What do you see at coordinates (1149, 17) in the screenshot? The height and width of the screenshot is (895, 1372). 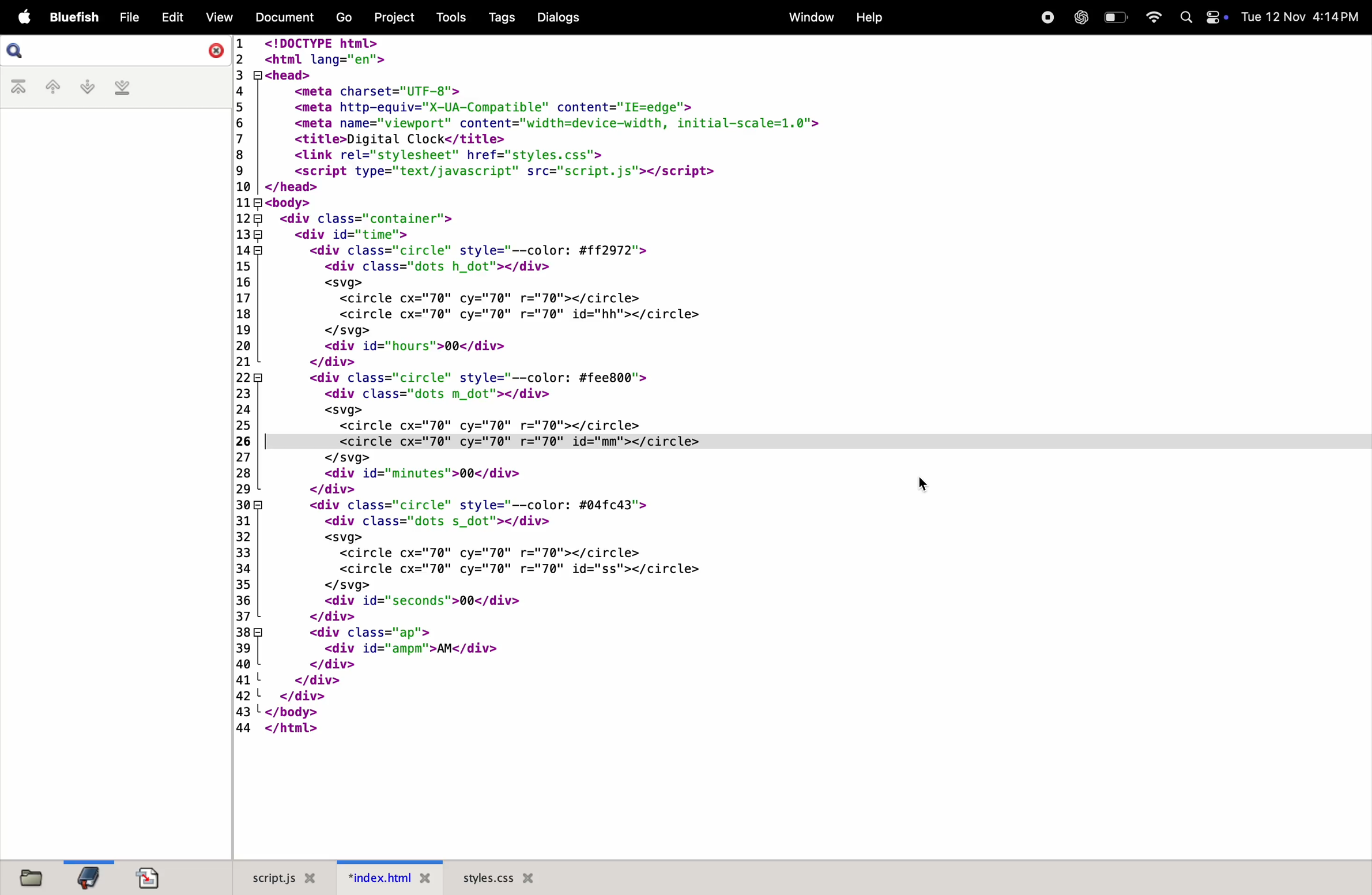 I see `wifi` at bounding box center [1149, 17].